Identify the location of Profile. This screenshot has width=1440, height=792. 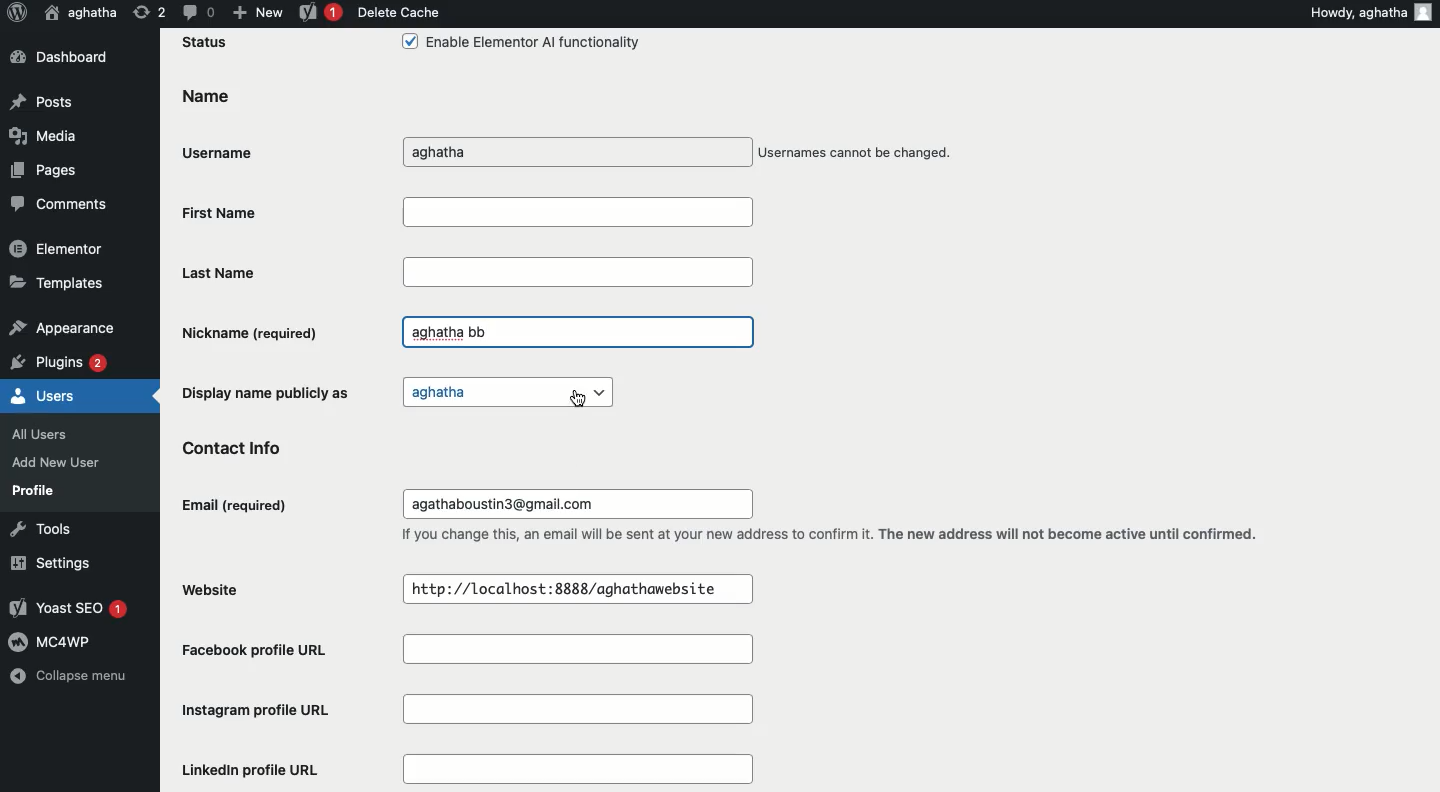
(34, 490).